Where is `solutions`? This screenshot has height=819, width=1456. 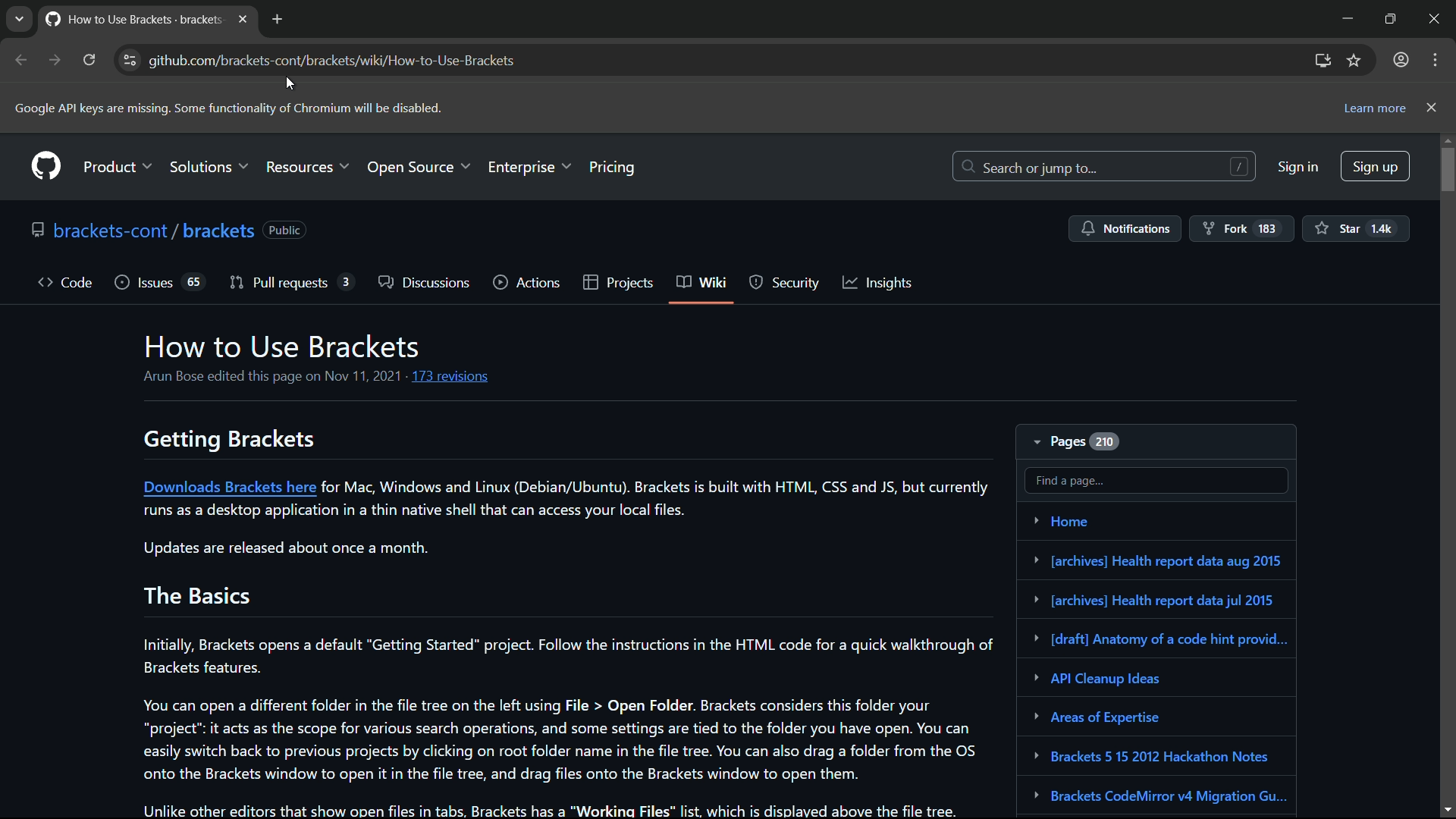
solutions is located at coordinates (207, 167).